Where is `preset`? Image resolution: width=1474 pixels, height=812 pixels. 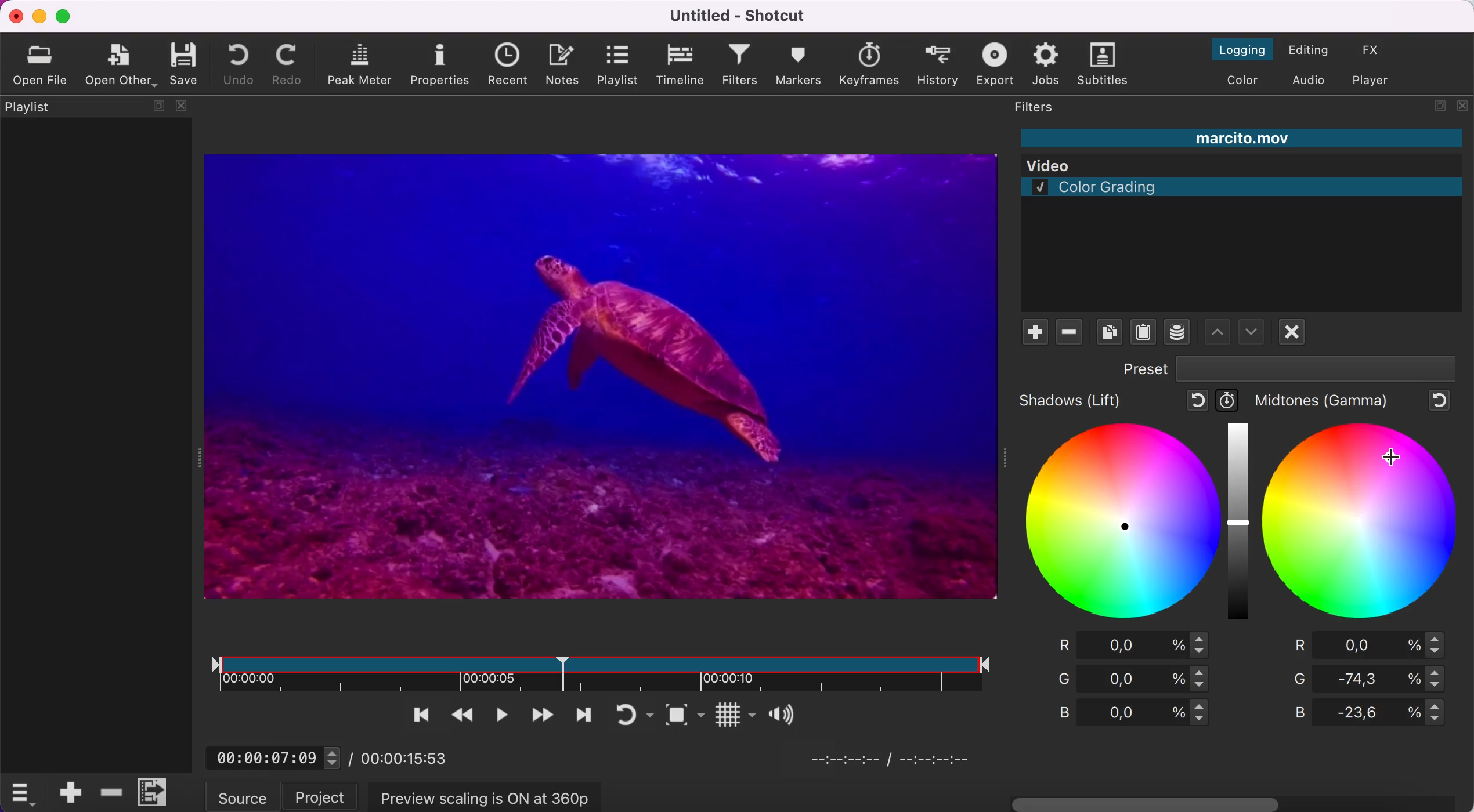 preset is located at coordinates (1287, 369).